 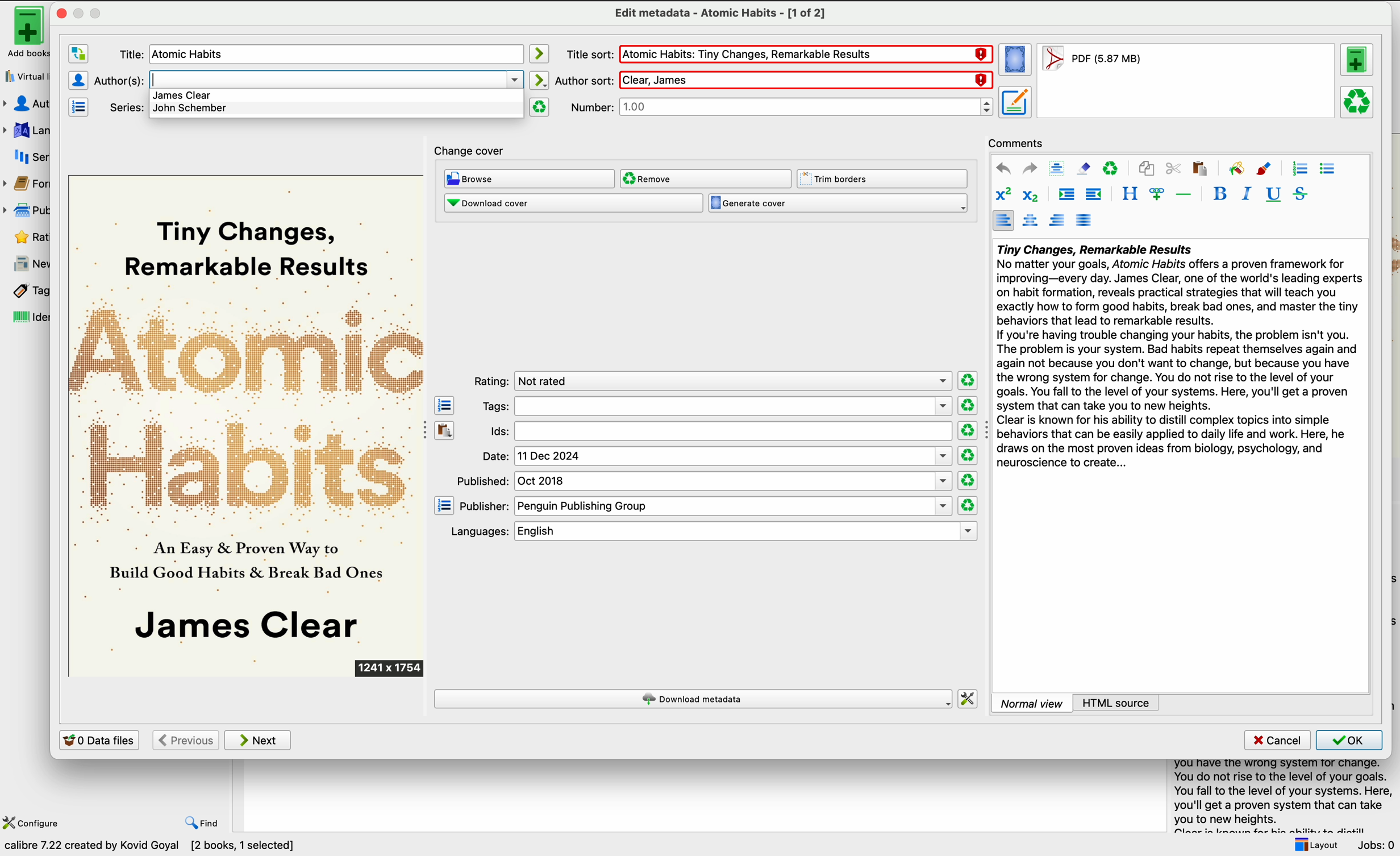 I want to click on date, so click(x=716, y=456).